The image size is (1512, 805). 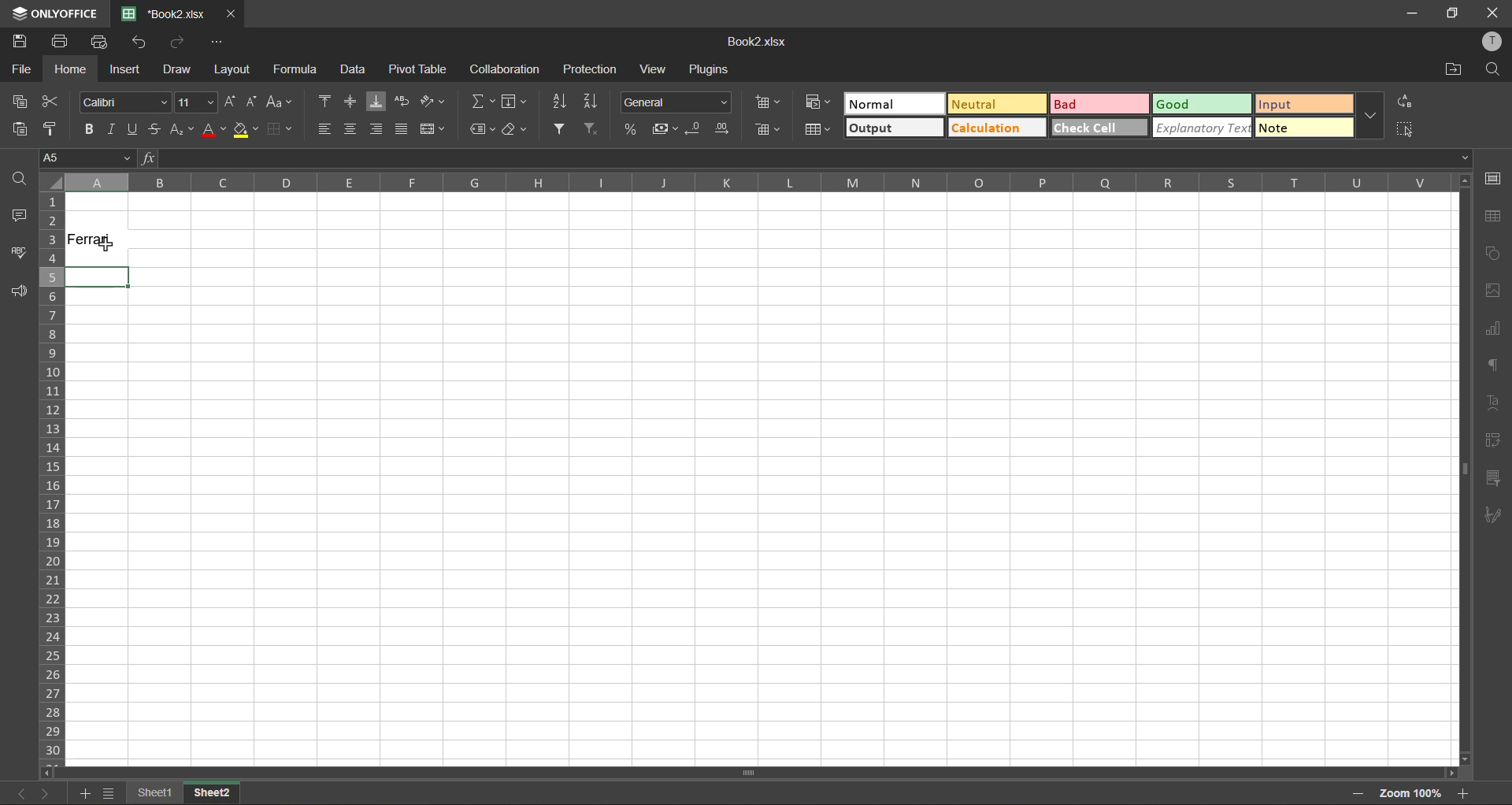 What do you see at coordinates (657, 69) in the screenshot?
I see `view` at bounding box center [657, 69].